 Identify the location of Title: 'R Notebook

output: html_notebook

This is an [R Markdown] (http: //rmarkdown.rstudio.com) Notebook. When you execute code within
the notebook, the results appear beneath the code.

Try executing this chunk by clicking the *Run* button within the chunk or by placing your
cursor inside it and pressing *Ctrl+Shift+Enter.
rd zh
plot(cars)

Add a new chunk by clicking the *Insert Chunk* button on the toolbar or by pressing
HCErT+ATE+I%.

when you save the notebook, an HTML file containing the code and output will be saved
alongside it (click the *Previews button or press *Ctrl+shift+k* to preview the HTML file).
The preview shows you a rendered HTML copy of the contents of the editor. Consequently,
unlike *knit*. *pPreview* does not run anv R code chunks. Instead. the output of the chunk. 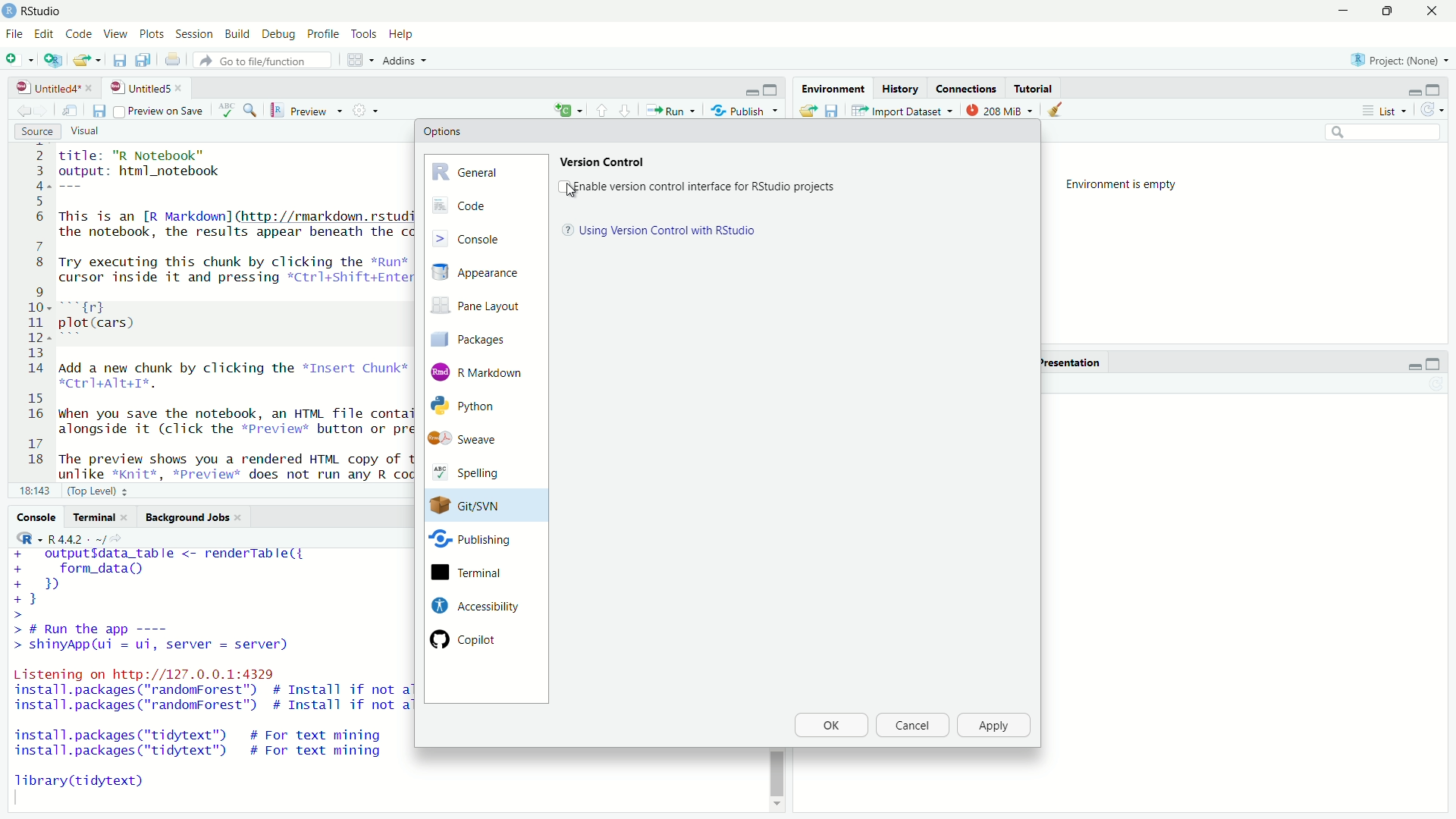
(231, 312).